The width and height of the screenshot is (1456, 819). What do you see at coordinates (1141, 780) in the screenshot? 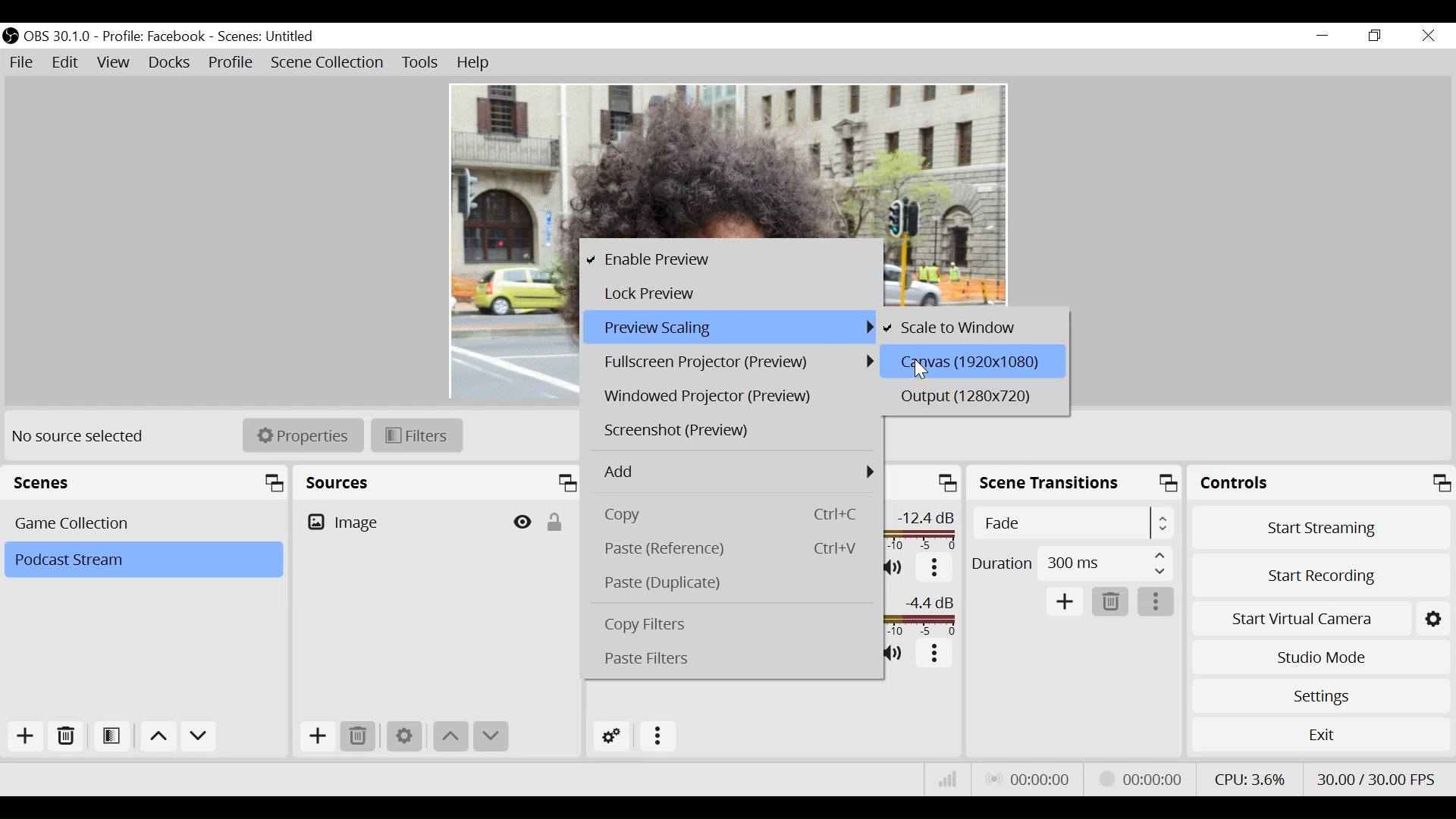
I see `Stream Status` at bounding box center [1141, 780].